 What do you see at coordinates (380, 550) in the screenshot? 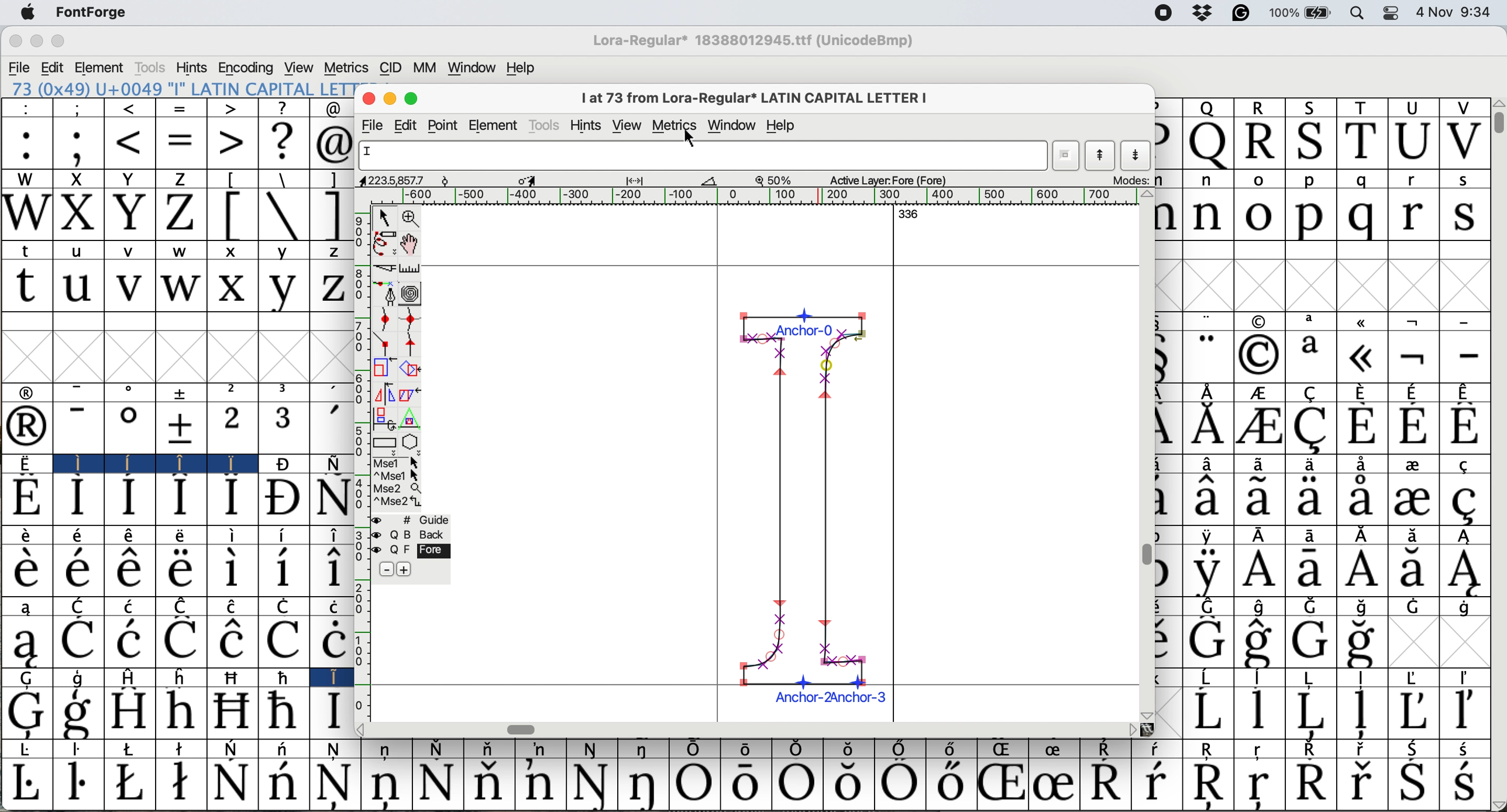
I see `` at bounding box center [380, 550].